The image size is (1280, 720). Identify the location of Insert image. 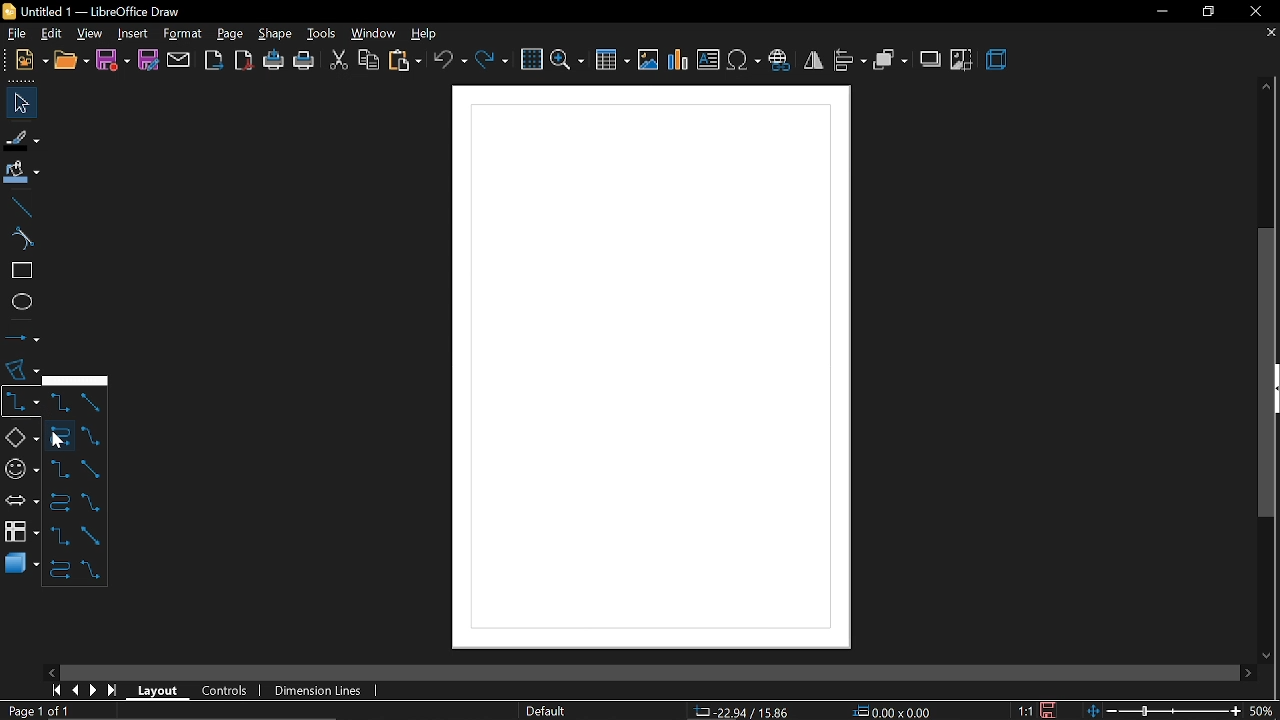
(649, 61).